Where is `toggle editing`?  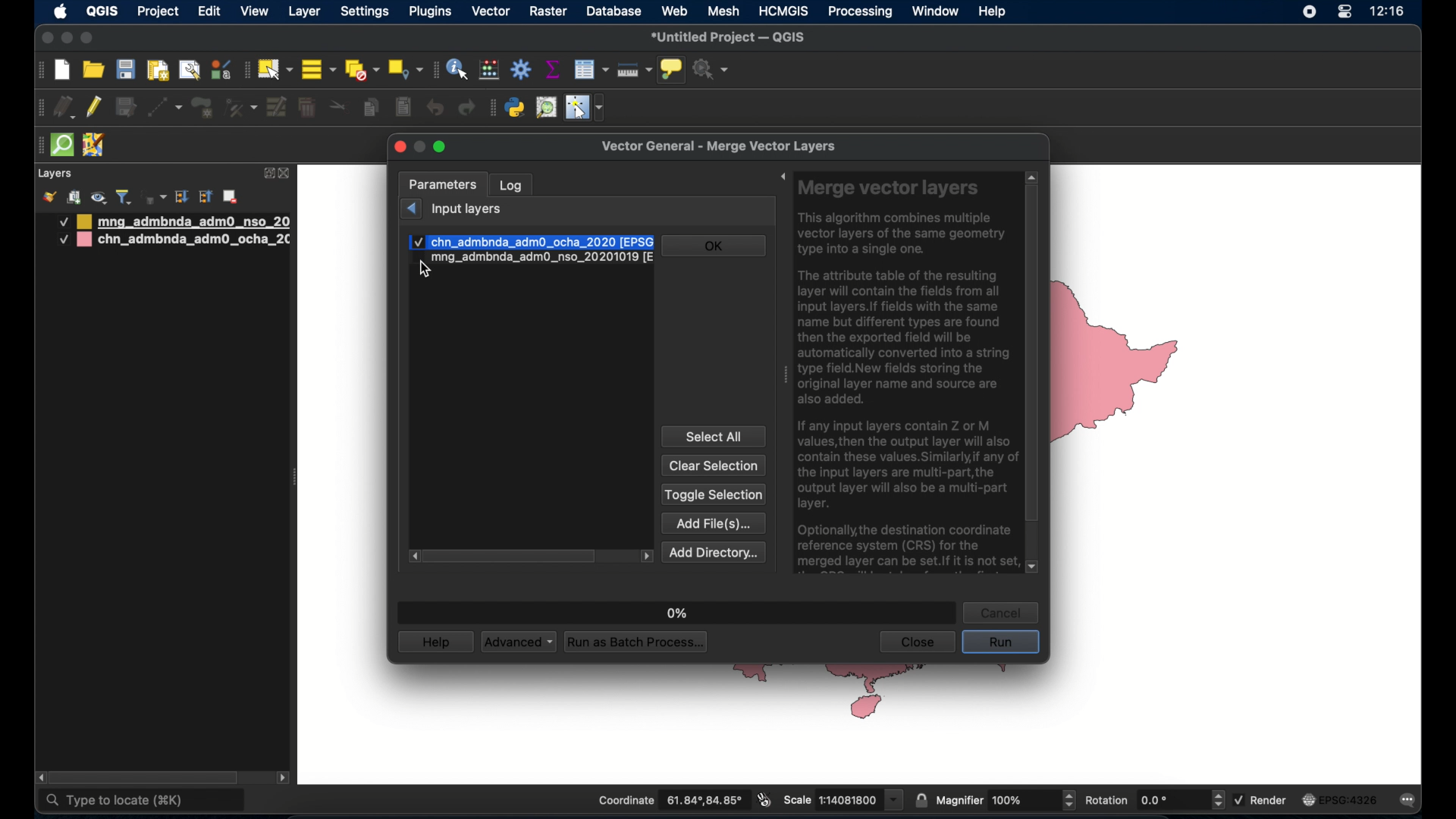 toggle editing is located at coordinates (95, 108).